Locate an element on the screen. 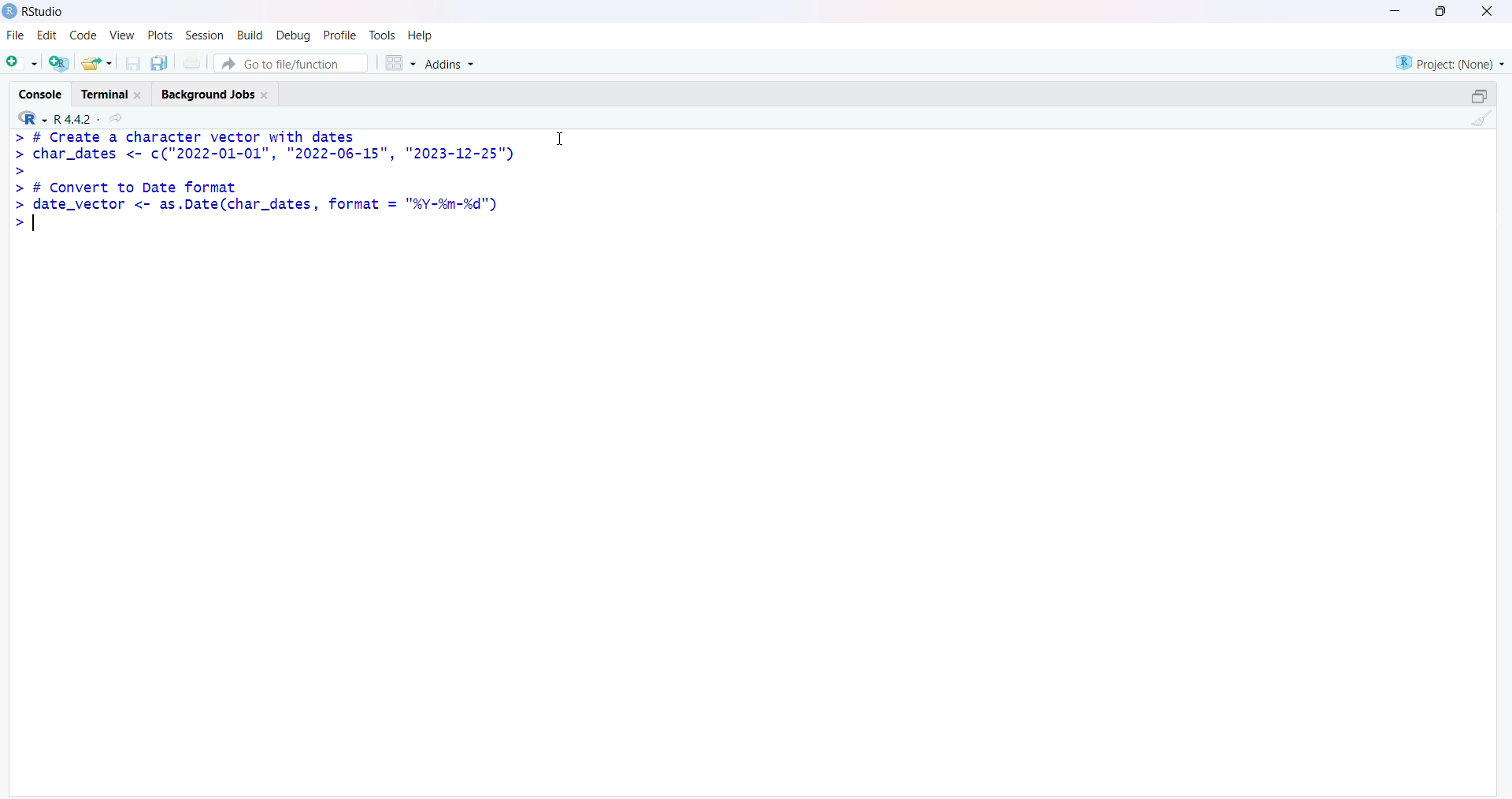 This screenshot has height=799, width=1512. Help is located at coordinates (421, 35).